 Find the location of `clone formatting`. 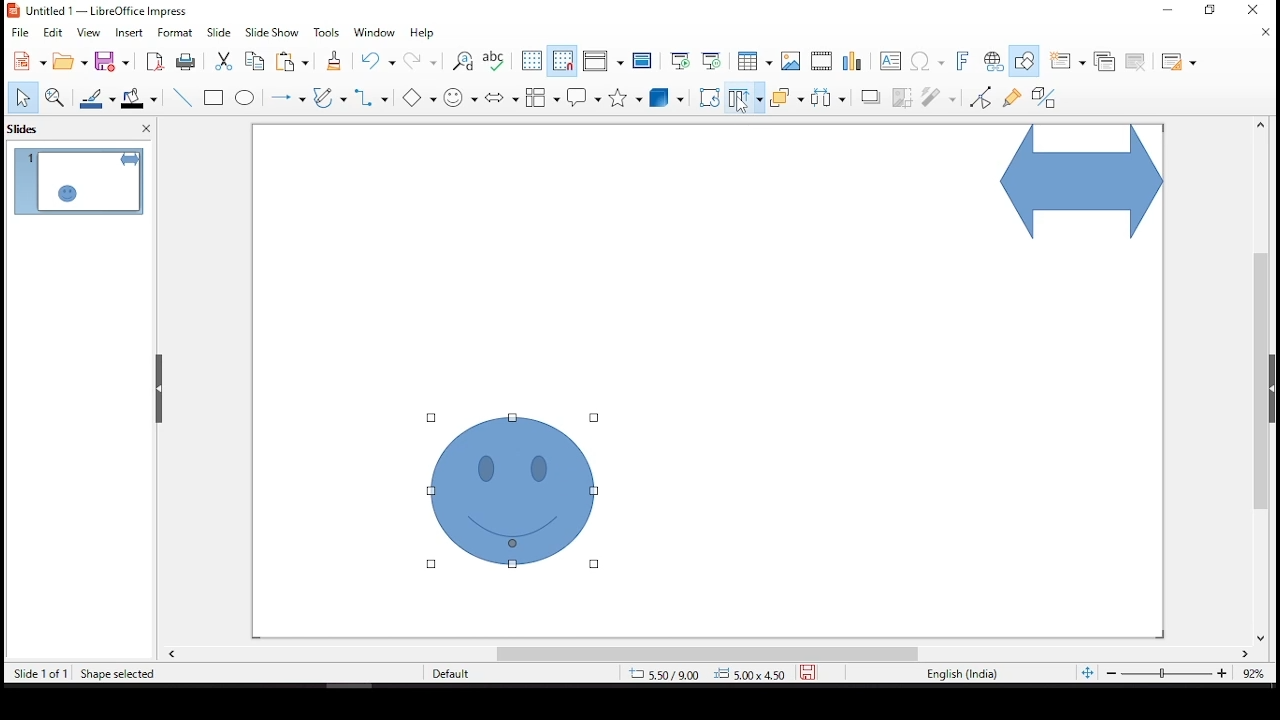

clone formatting is located at coordinates (333, 65).